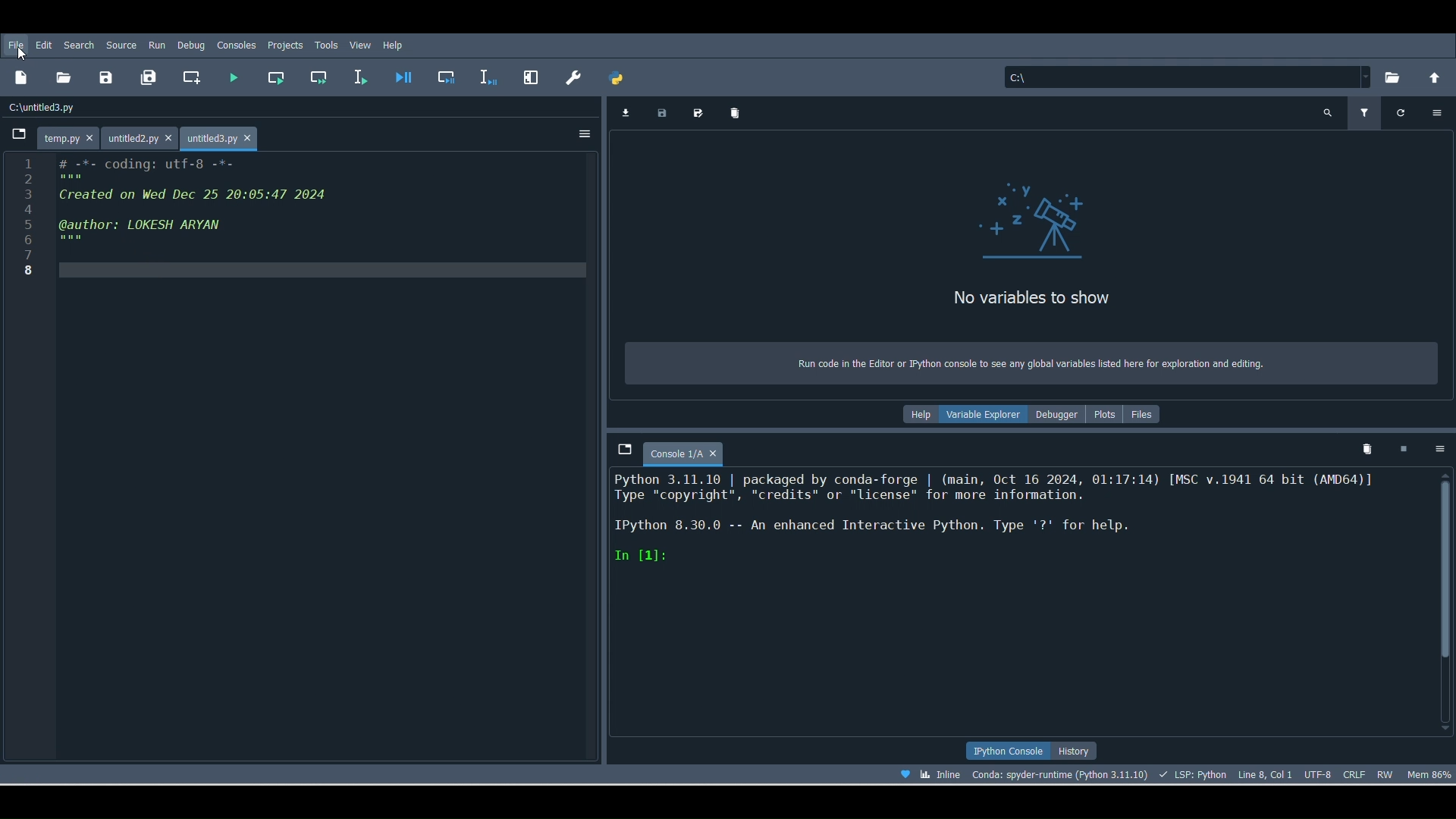 This screenshot has height=819, width=1456. What do you see at coordinates (65, 140) in the screenshot?
I see `temp.py` at bounding box center [65, 140].